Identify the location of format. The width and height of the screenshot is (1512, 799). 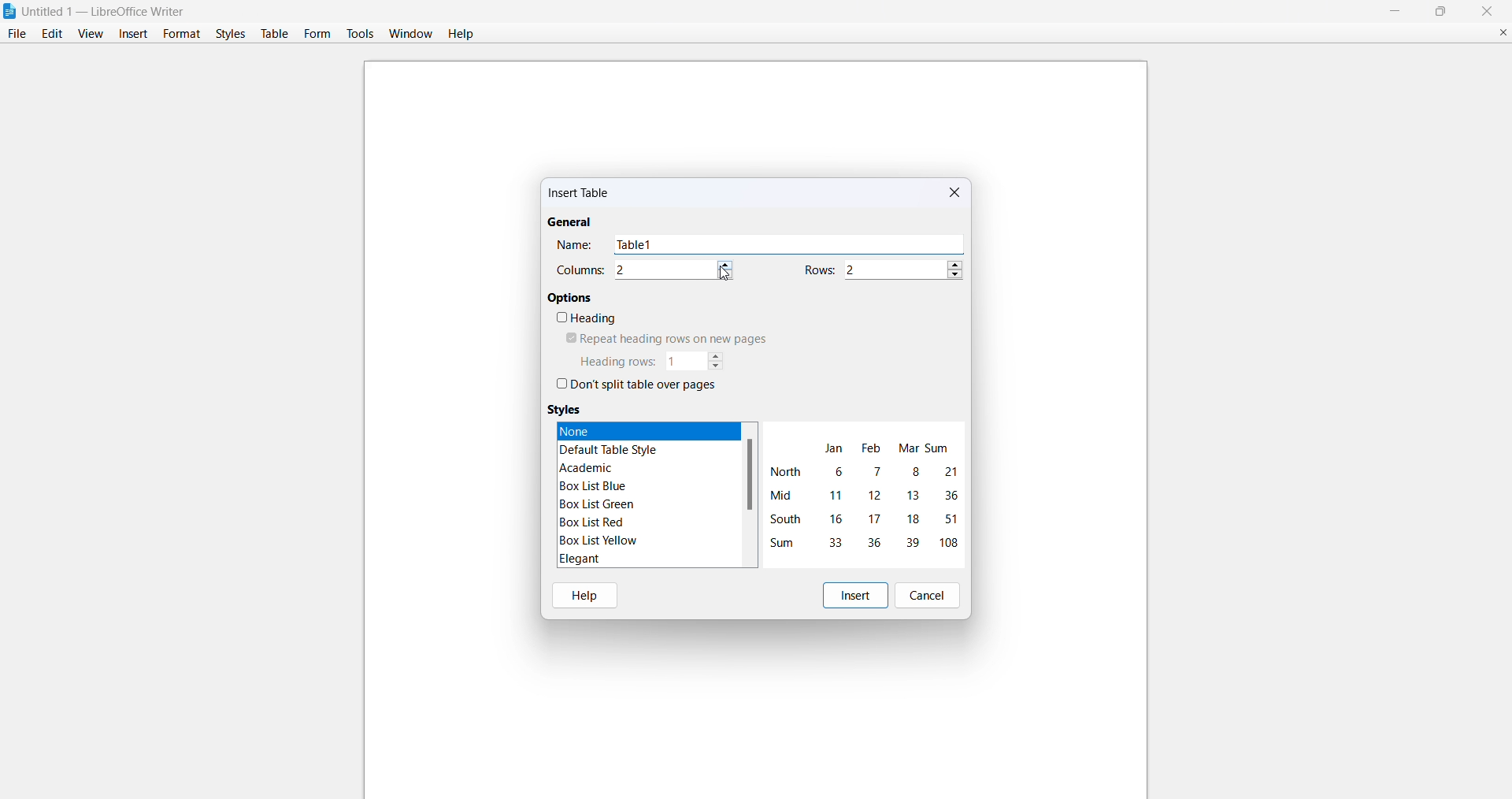
(179, 32).